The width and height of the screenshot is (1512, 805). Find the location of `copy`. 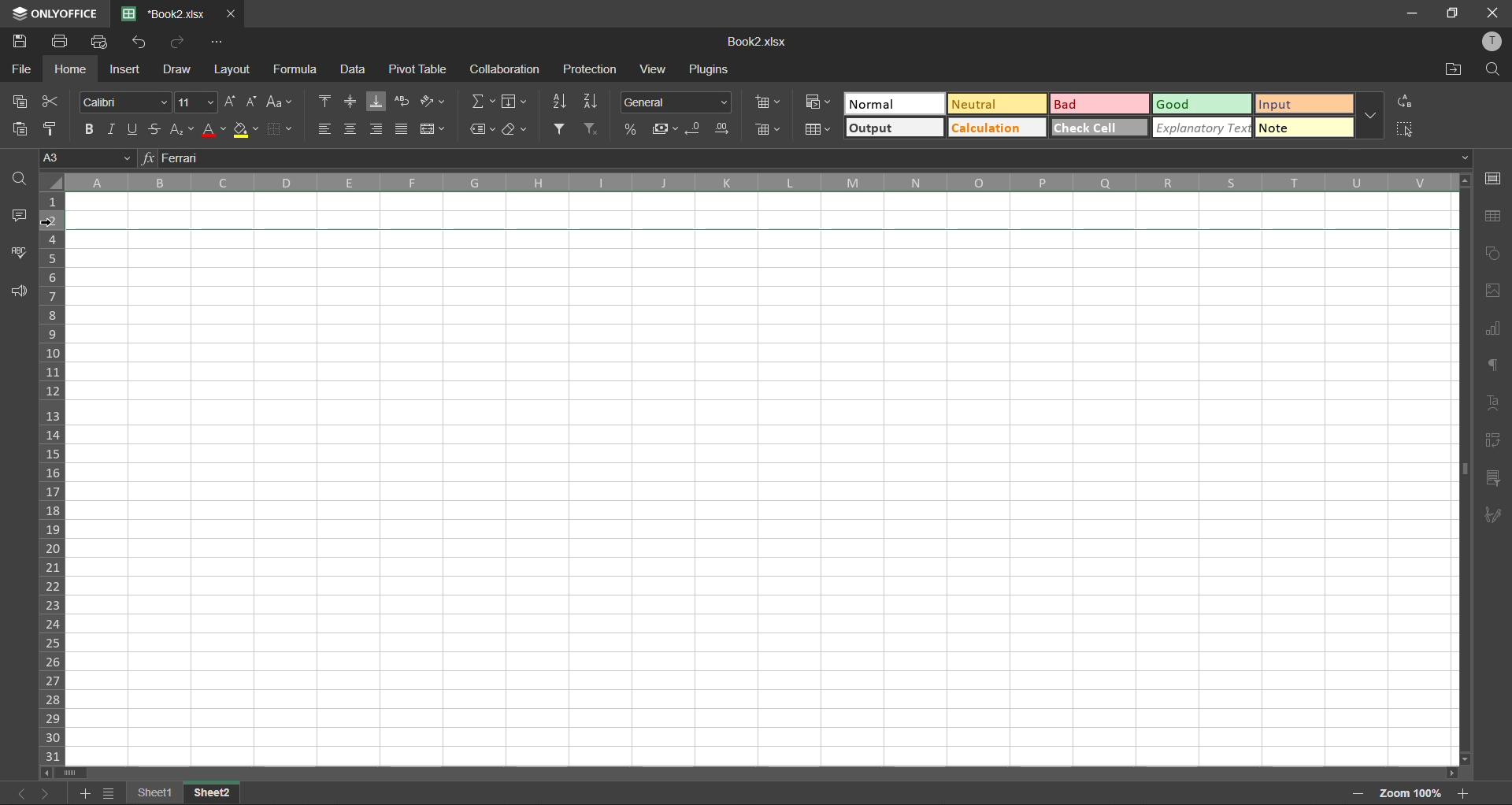

copy is located at coordinates (22, 99).